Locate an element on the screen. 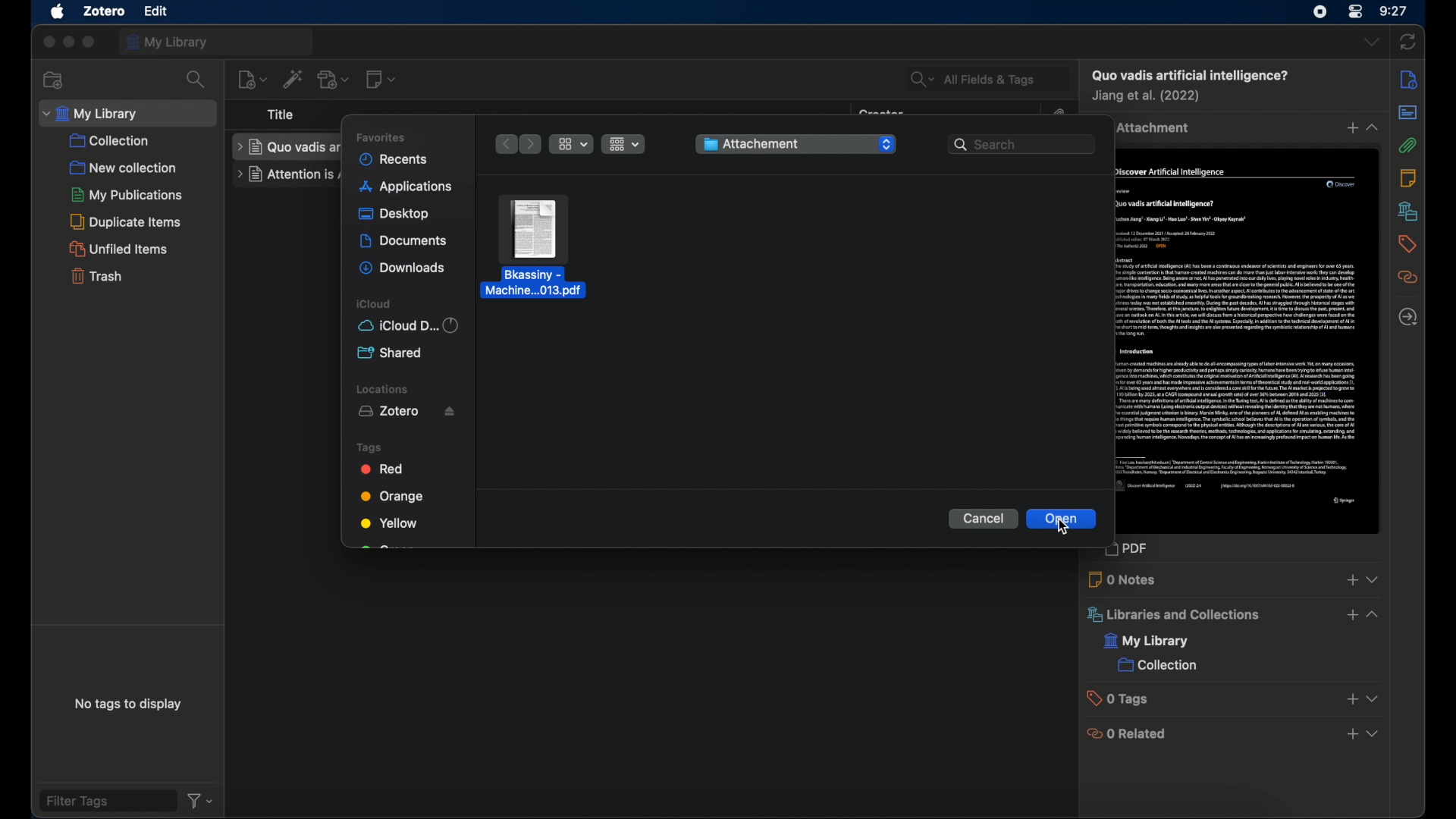 The image size is (1456, 819). add is located at coordinates (1349, 129).